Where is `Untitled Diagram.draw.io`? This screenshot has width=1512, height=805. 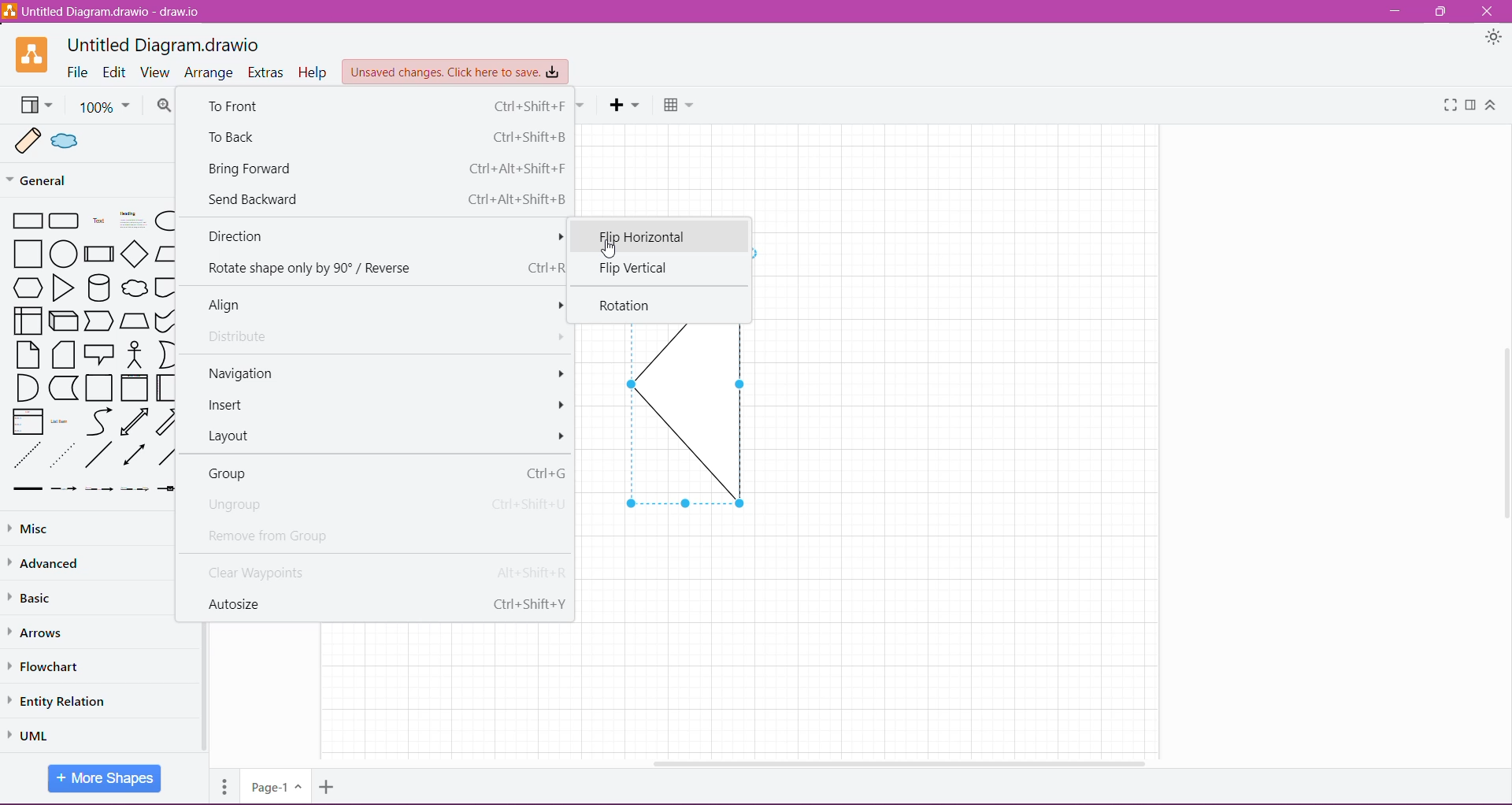 Untitled Diagram.draw.io is located at coordinates (169, 43).